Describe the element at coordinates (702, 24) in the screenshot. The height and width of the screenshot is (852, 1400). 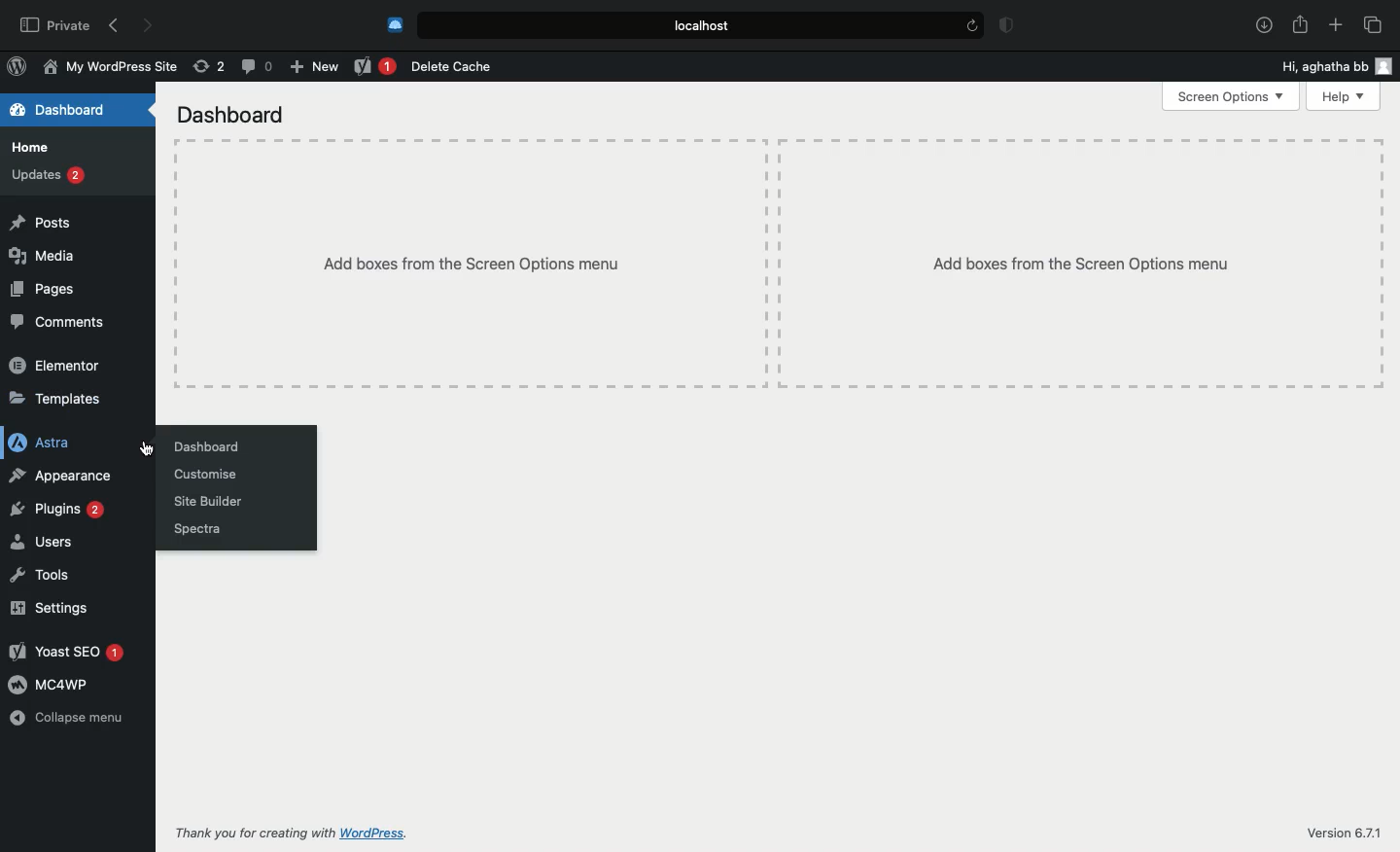
I see `Local.host` at that location.